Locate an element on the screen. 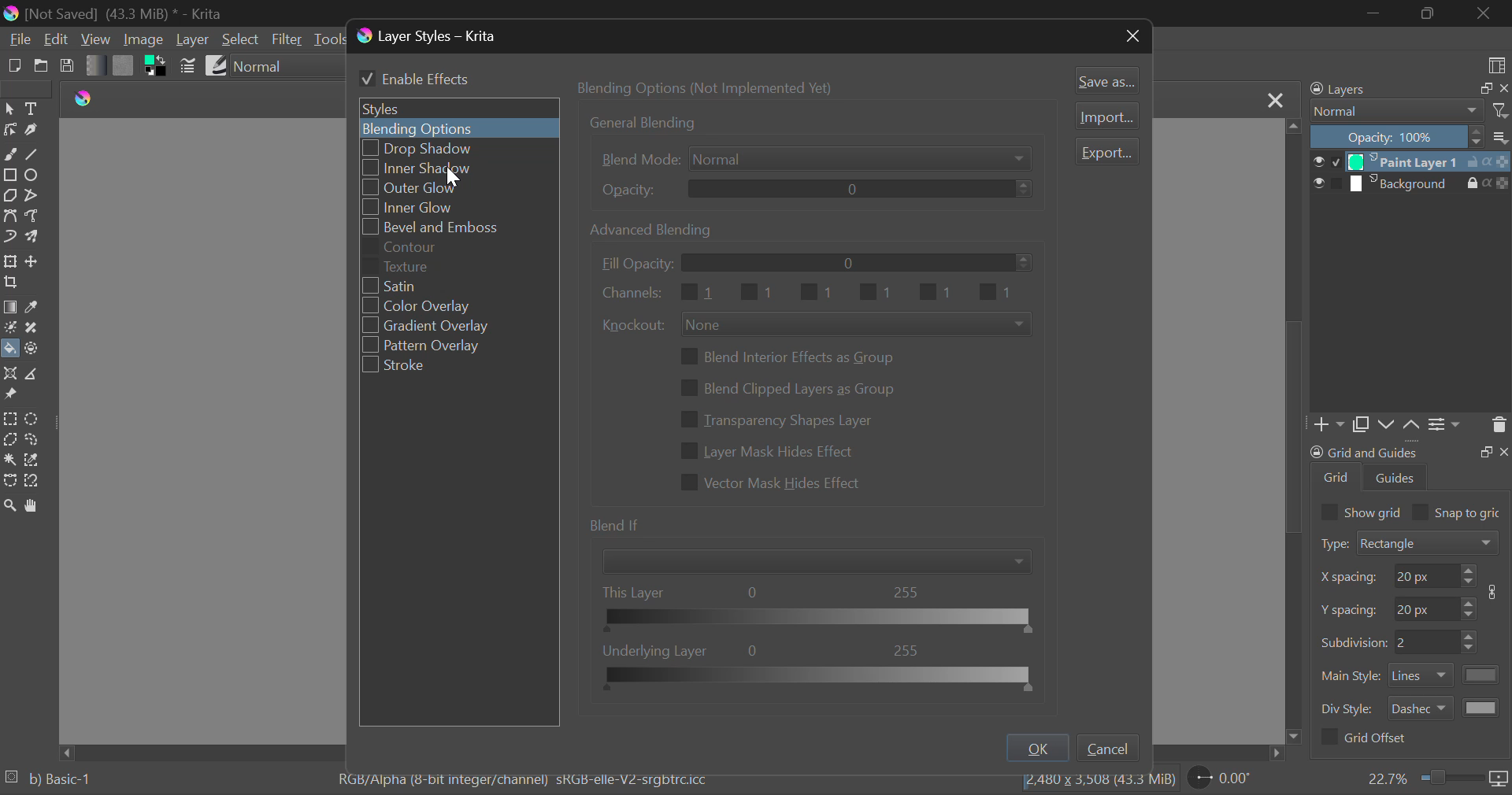  Edit Shapes is located at coordinates (9, 129).